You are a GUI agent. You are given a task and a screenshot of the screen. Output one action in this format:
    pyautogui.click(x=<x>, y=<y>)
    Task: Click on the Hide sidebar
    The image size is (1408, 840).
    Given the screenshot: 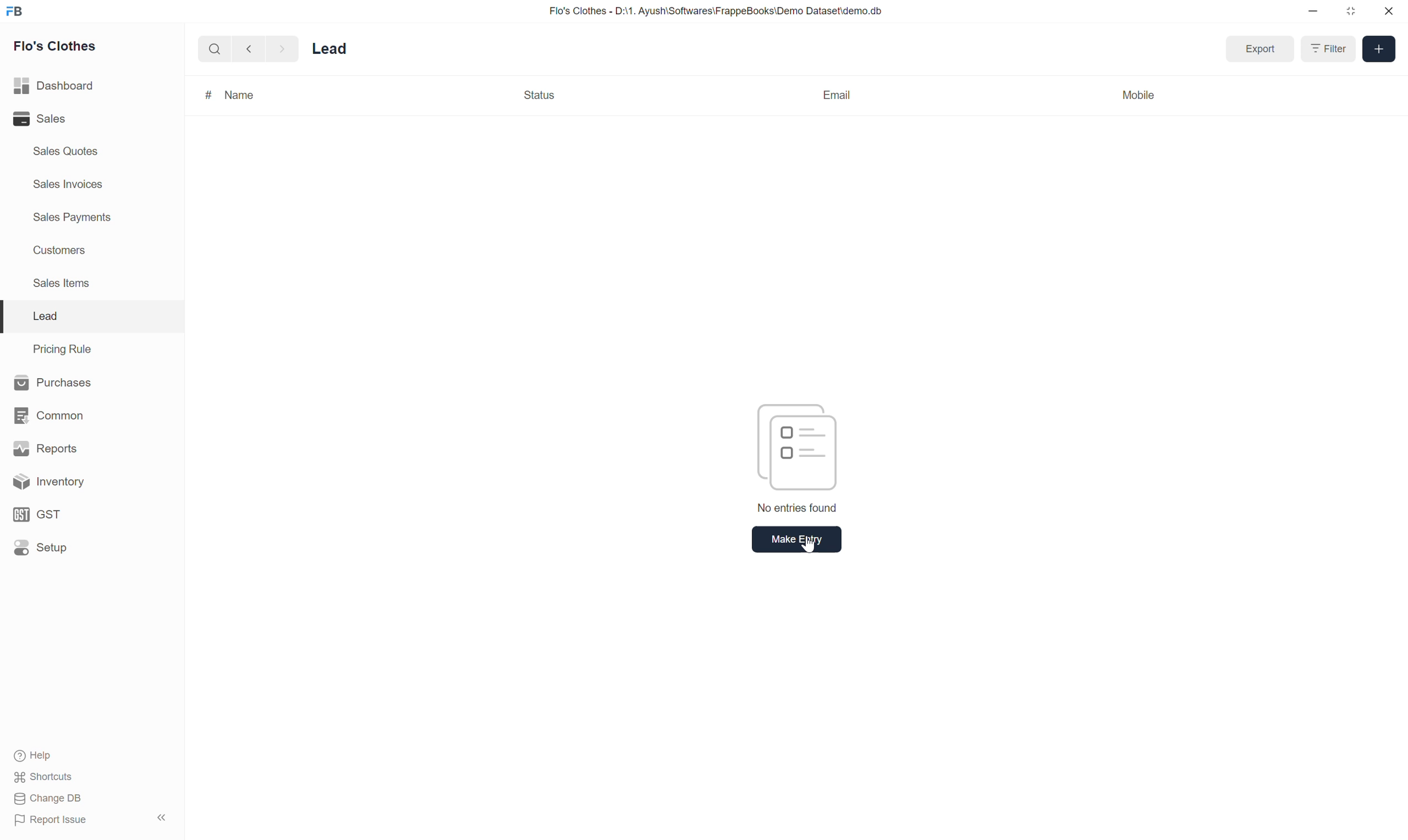 What is the action you would take?
    pyautogui.click(x=164, y=818)
    